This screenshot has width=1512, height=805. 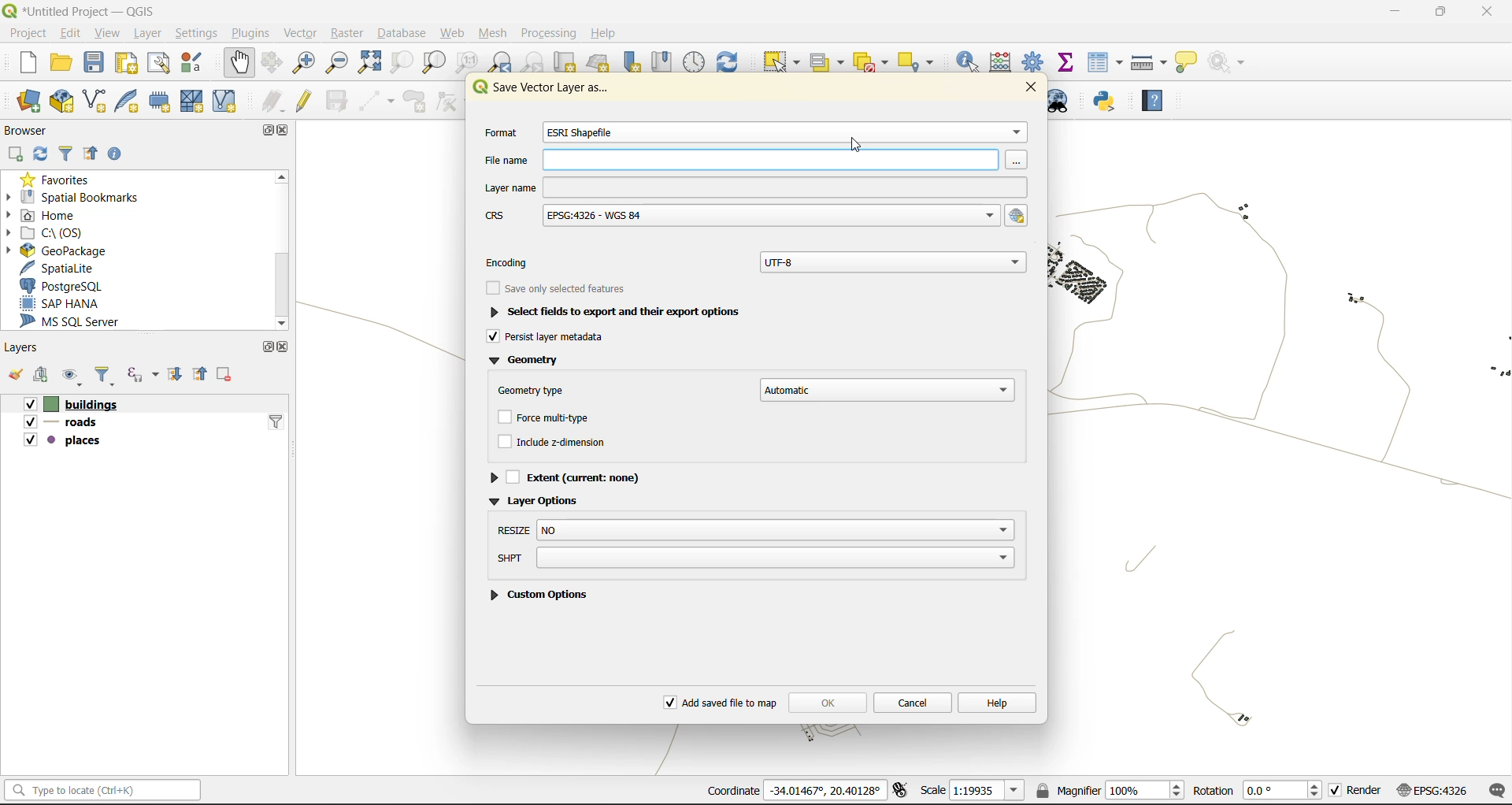 What do you see at coordinates (66, 286) in the screenshot?
I see `postgresql` at bounding box center [66, 286].